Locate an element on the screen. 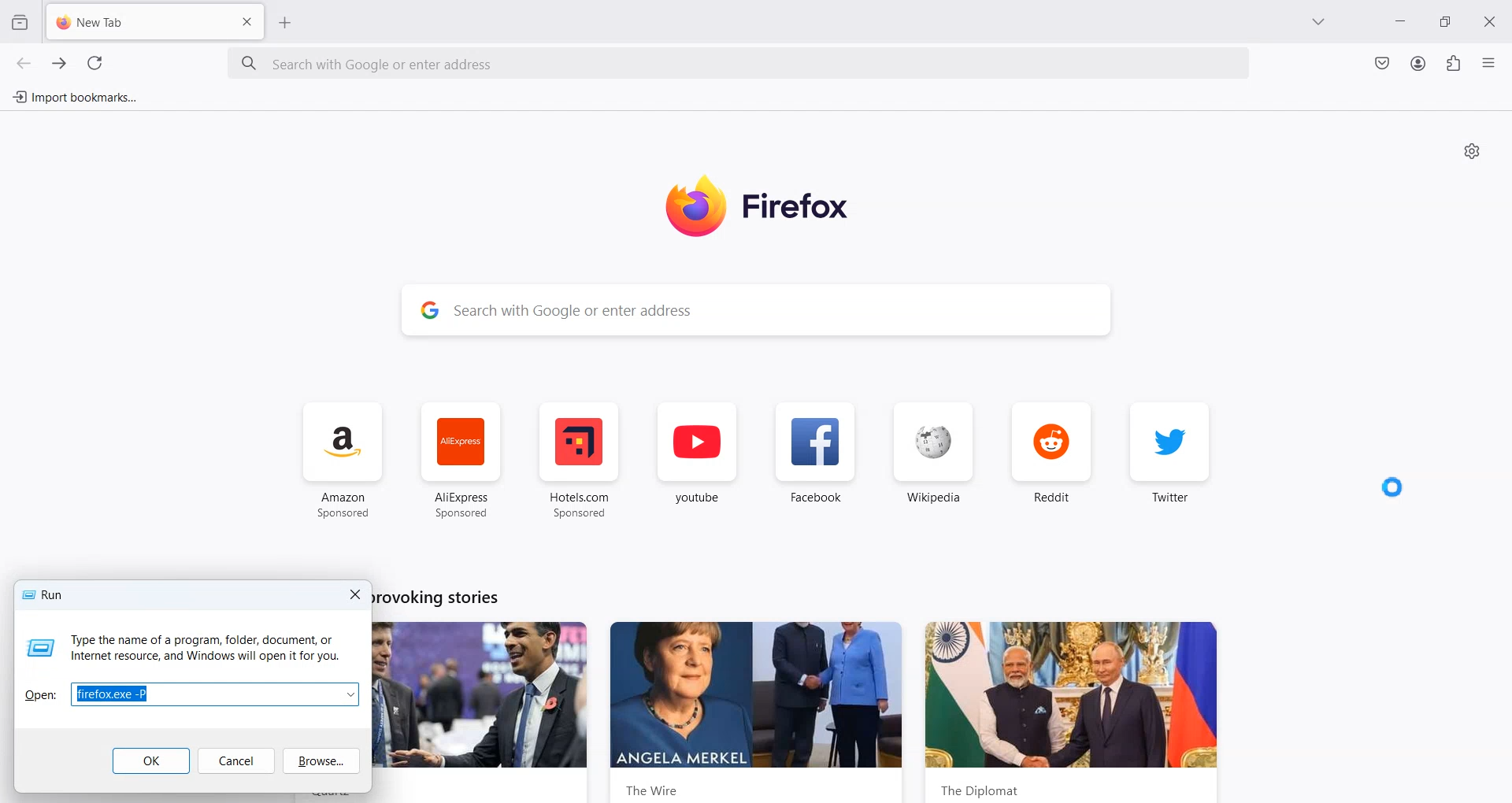  open is located at coordinates (40, 694).